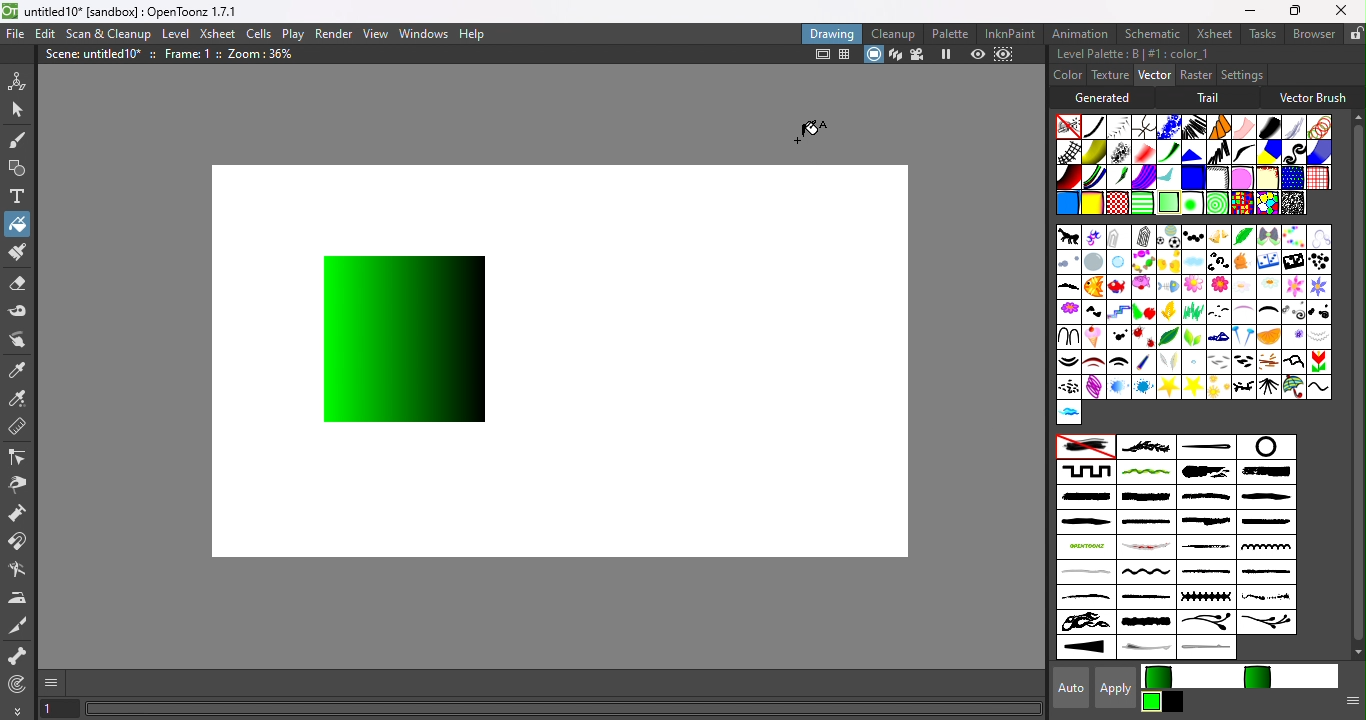  What do you see at coordinates (1084, 572) in the screenshot?
I see `simple_trail` at bounding box center [1084, 572].